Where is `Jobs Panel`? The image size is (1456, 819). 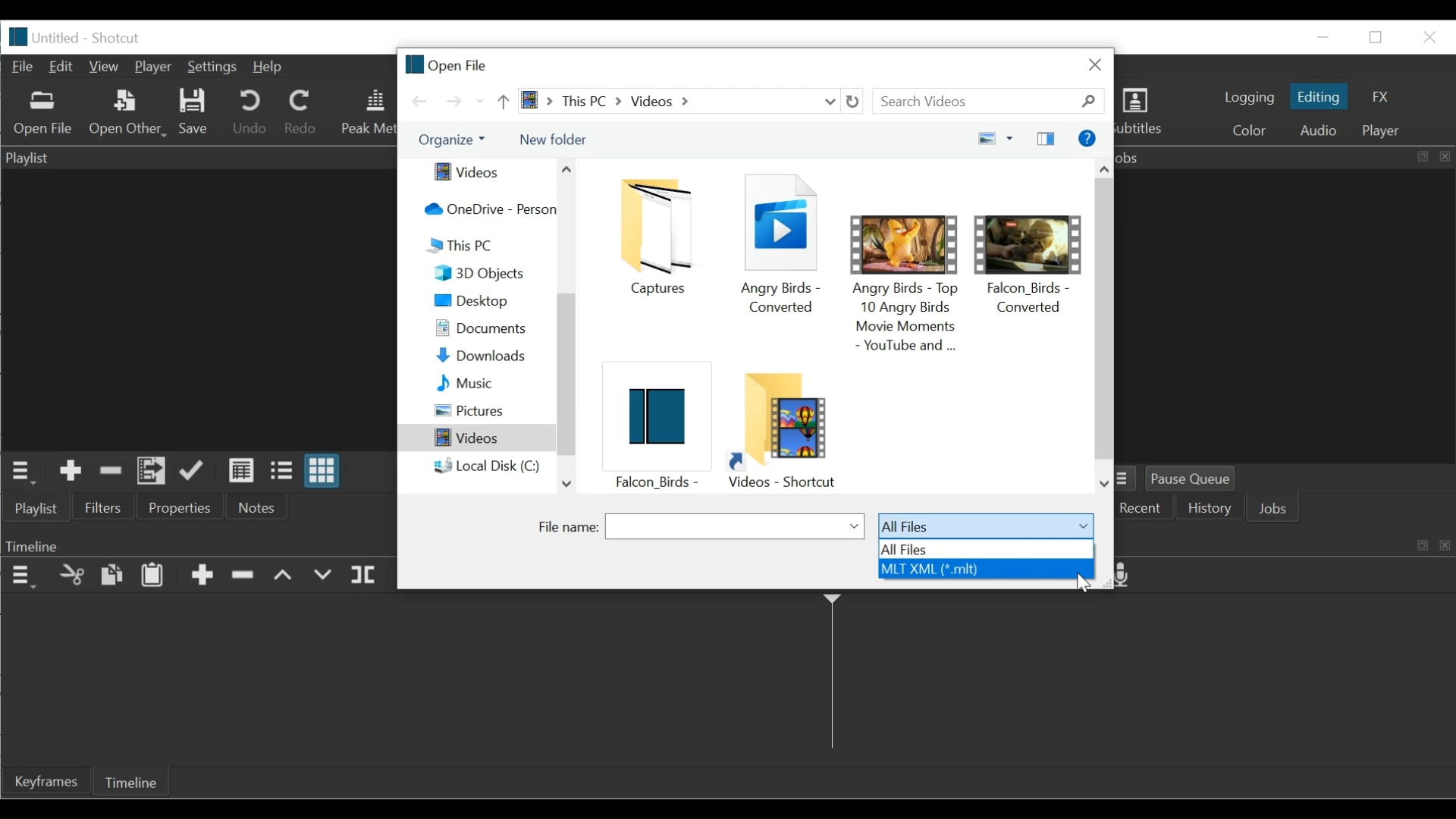
Jobs Panel is located at coordinates (1285, 157).